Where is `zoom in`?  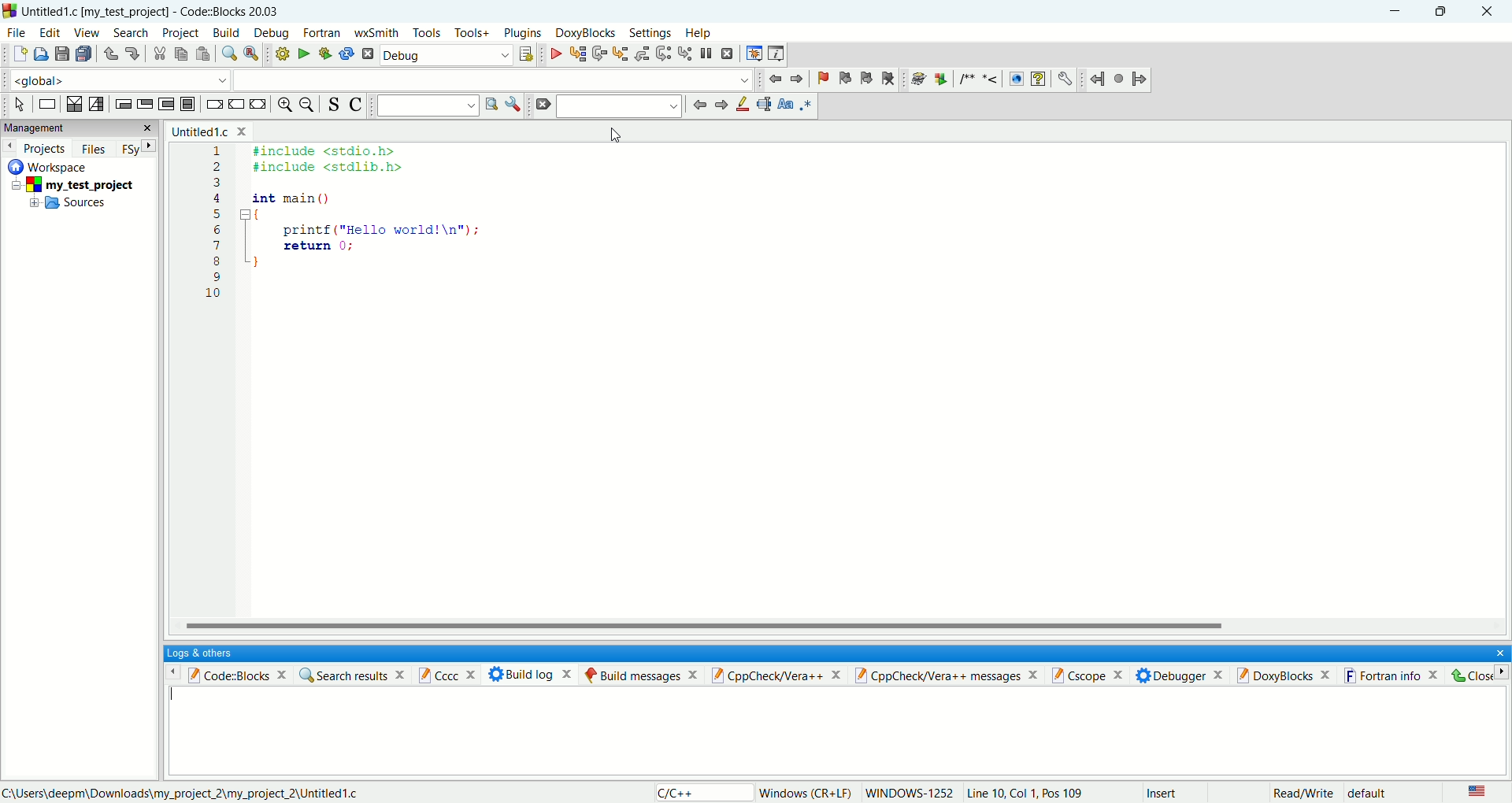
zoom in is located at coordinates (283, 105).